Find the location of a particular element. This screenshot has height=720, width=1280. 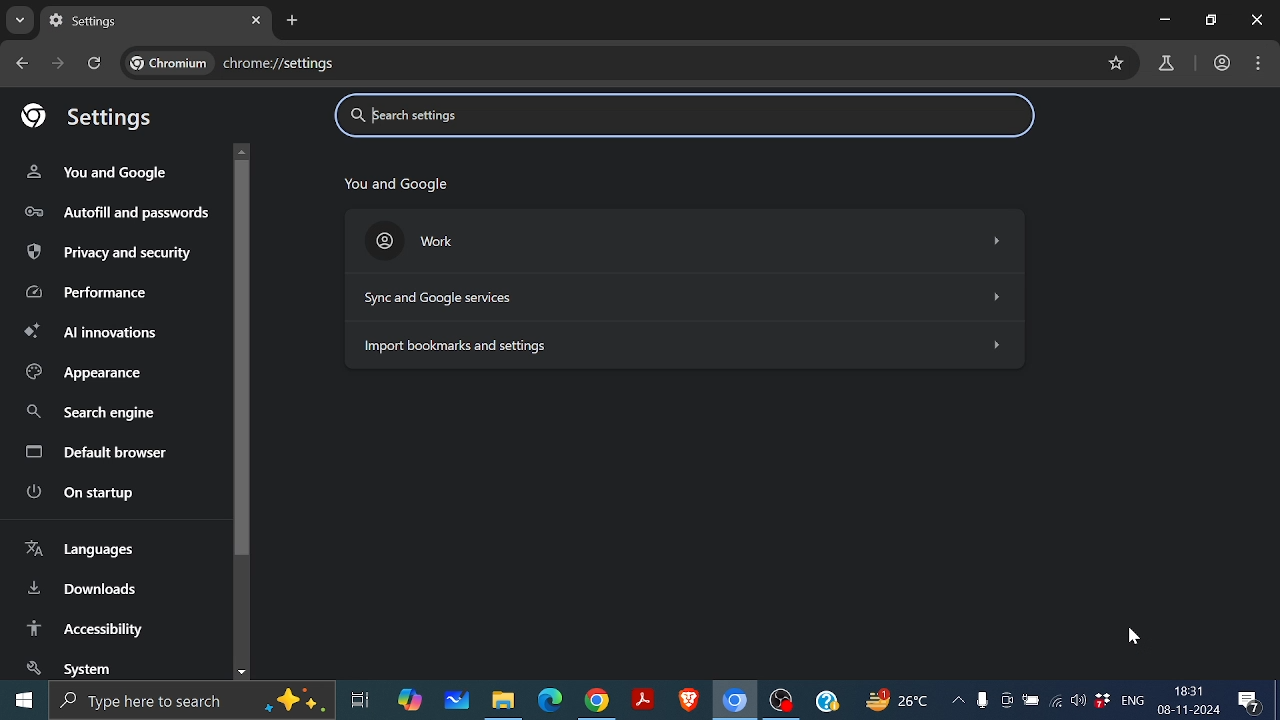

language is located at coordinates (1133, 703).